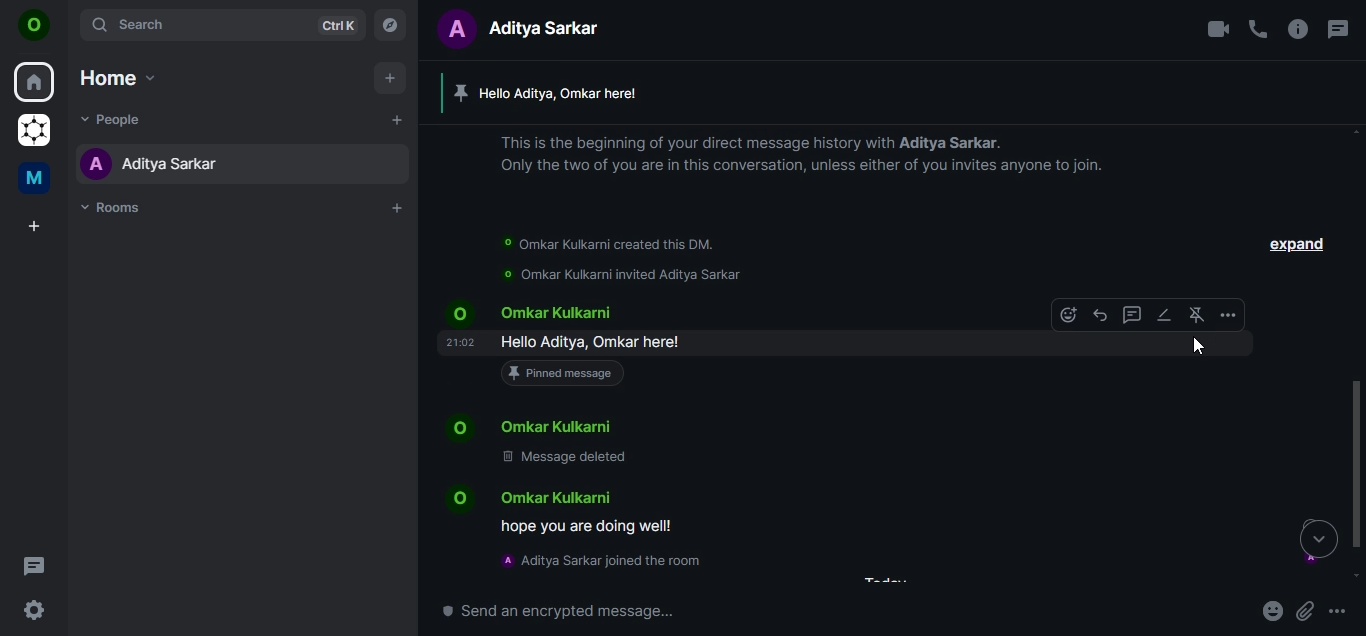 This screenshot has height=636, width=1366. What do you see at coordinates (1260, 29) in the screenshot?
I see `voice call` at bounding box center [1260, 29].